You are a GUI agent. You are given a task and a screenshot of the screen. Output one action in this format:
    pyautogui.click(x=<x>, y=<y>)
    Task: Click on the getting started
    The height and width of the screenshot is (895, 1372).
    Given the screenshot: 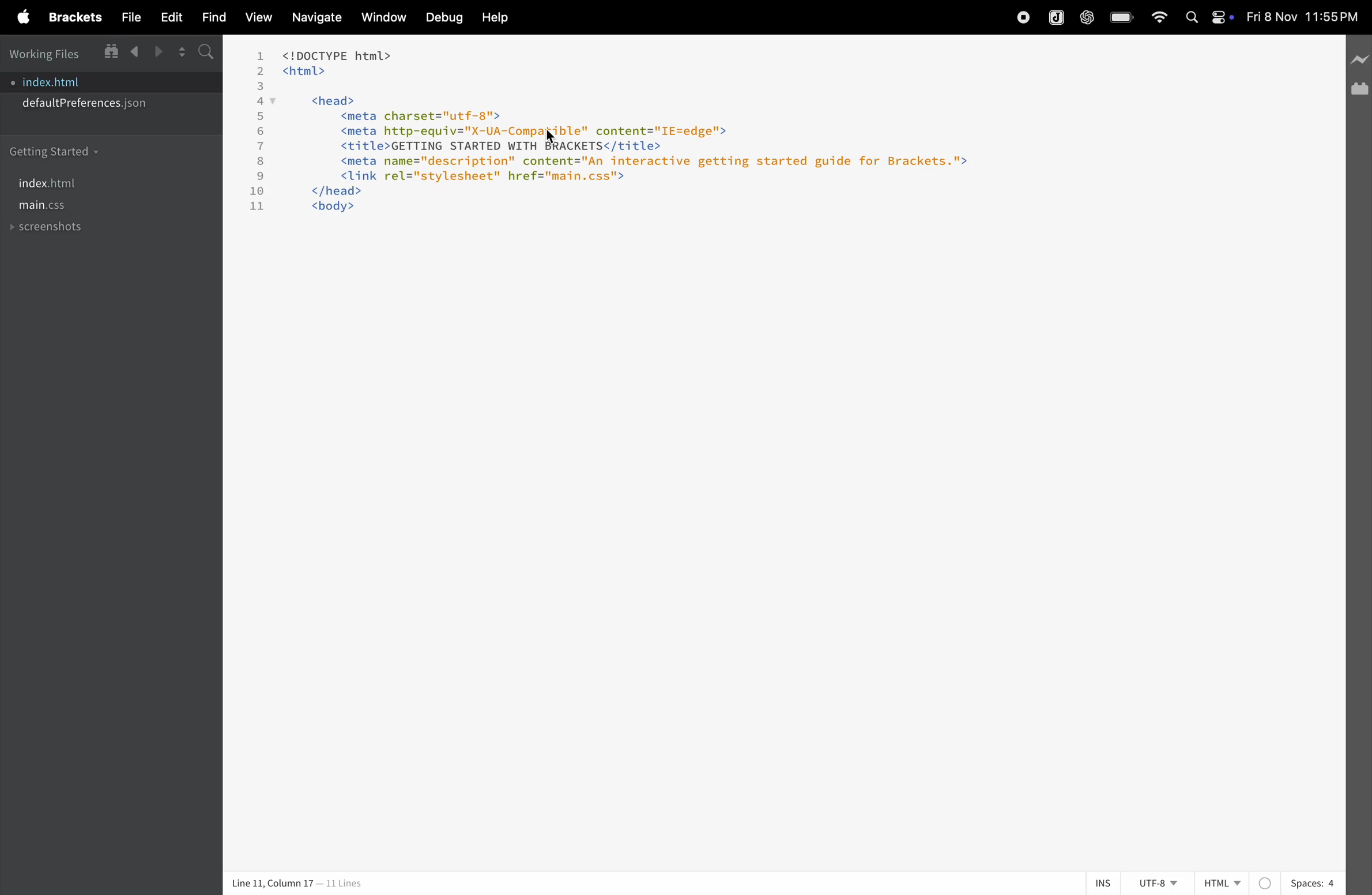 What is the action you would take?
    pyautogui.click(x=55, y=151)
    